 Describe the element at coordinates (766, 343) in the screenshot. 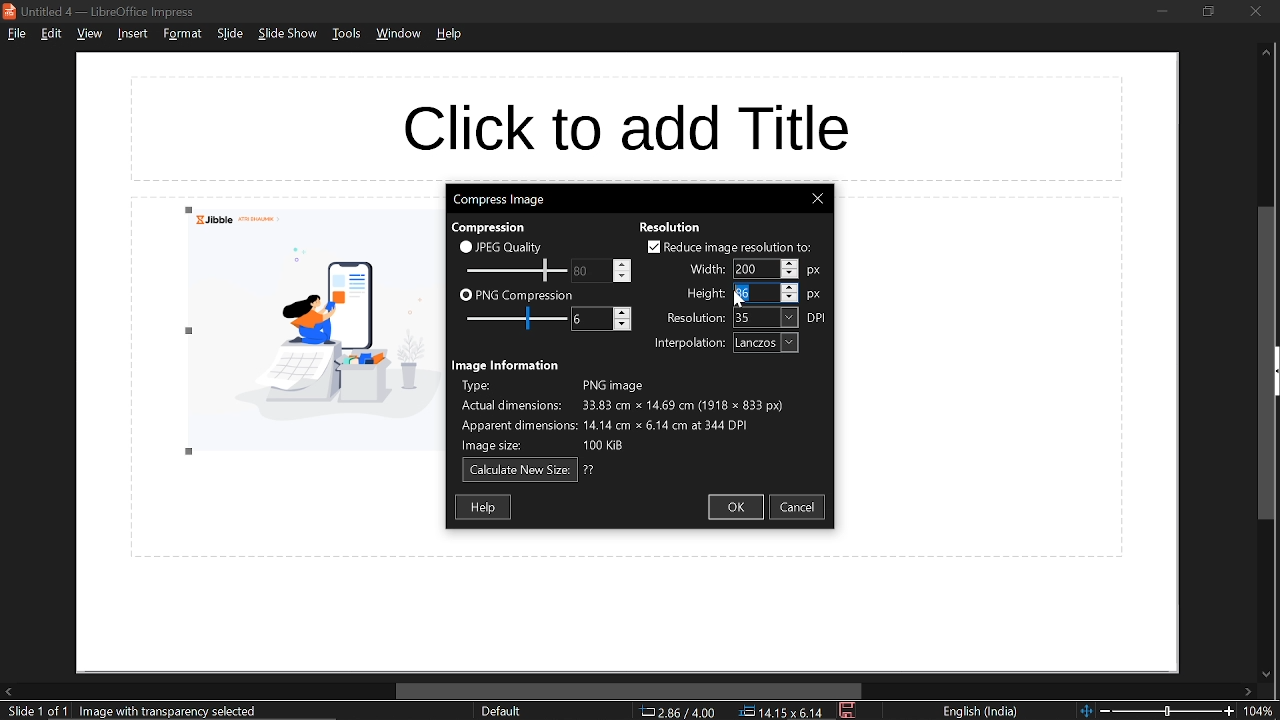

I see `interpolation` at that location.